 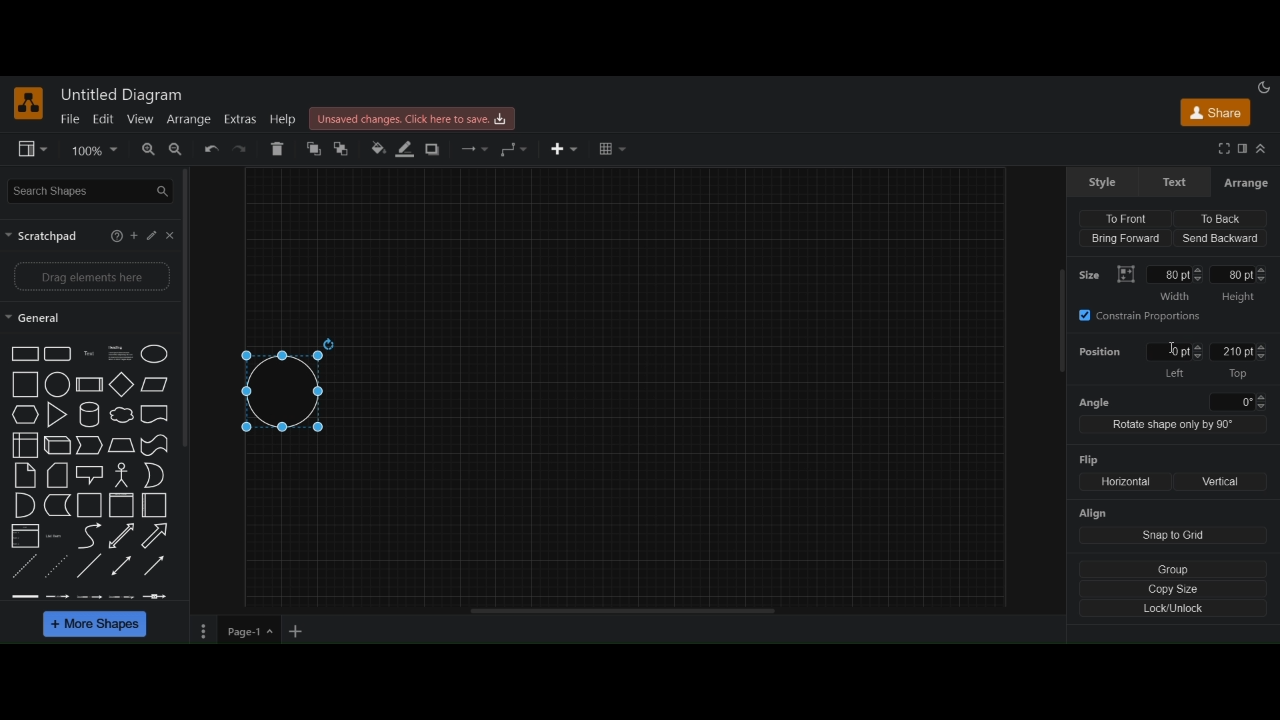 I want to click on edit, so click(x=102, y=118).